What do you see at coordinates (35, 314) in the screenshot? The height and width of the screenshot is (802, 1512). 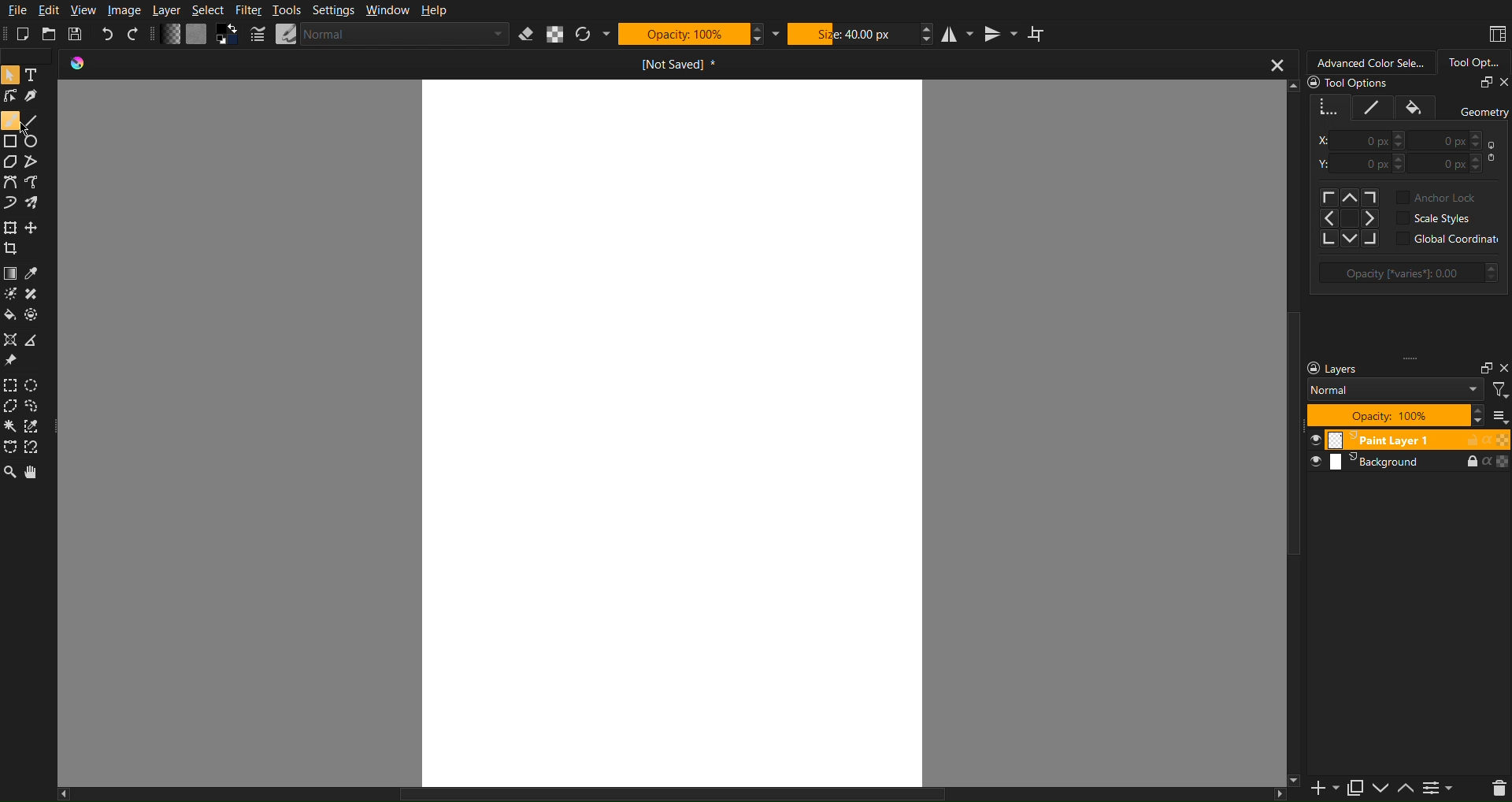 I see `Pallete` at bounding box center [35, 314].